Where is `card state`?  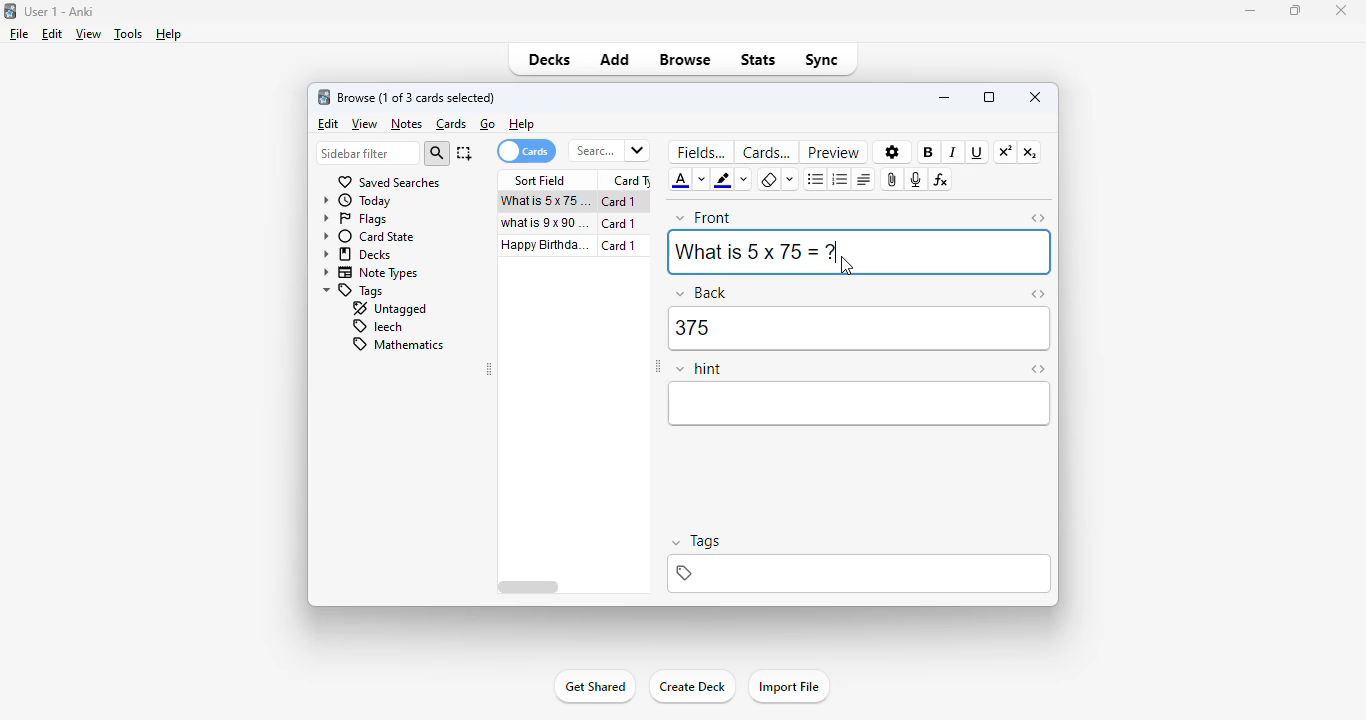
card state is located at coordinates (369, 236).